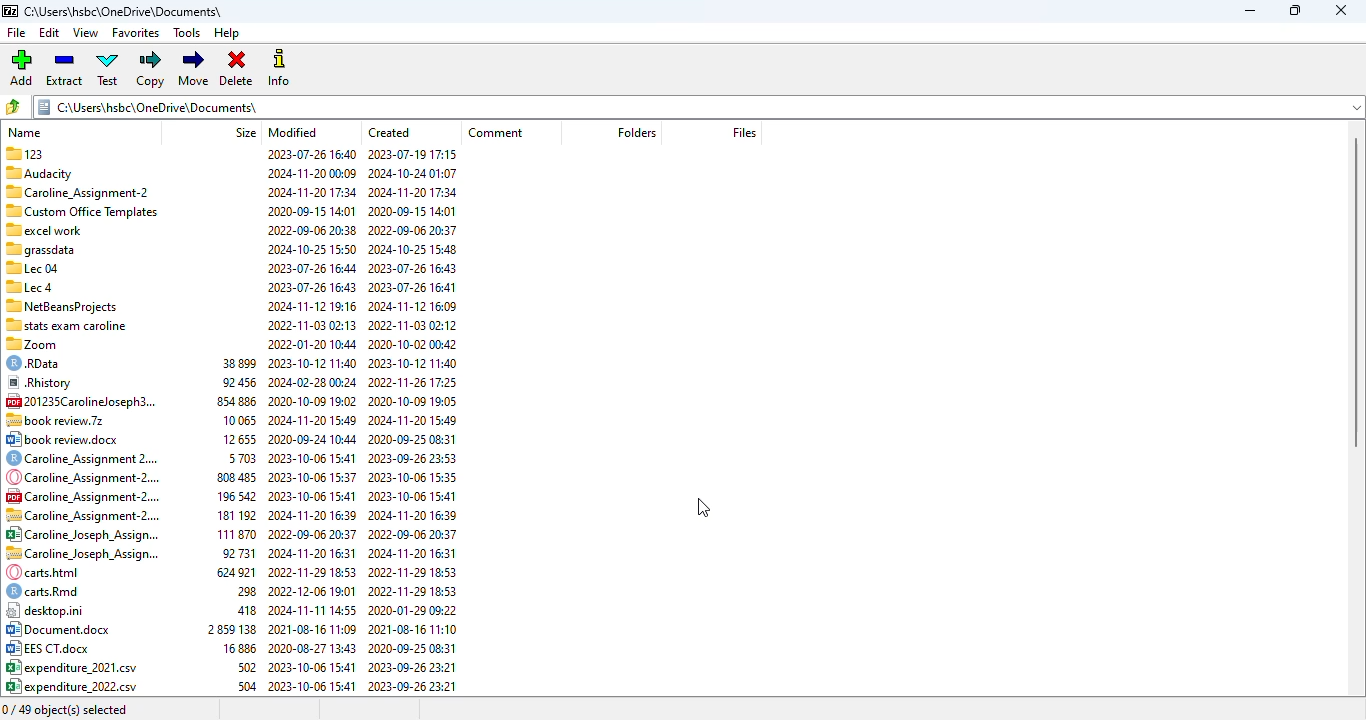 This screenshot has height=720, width=1366. I want to click on folder, so click(696, 107).